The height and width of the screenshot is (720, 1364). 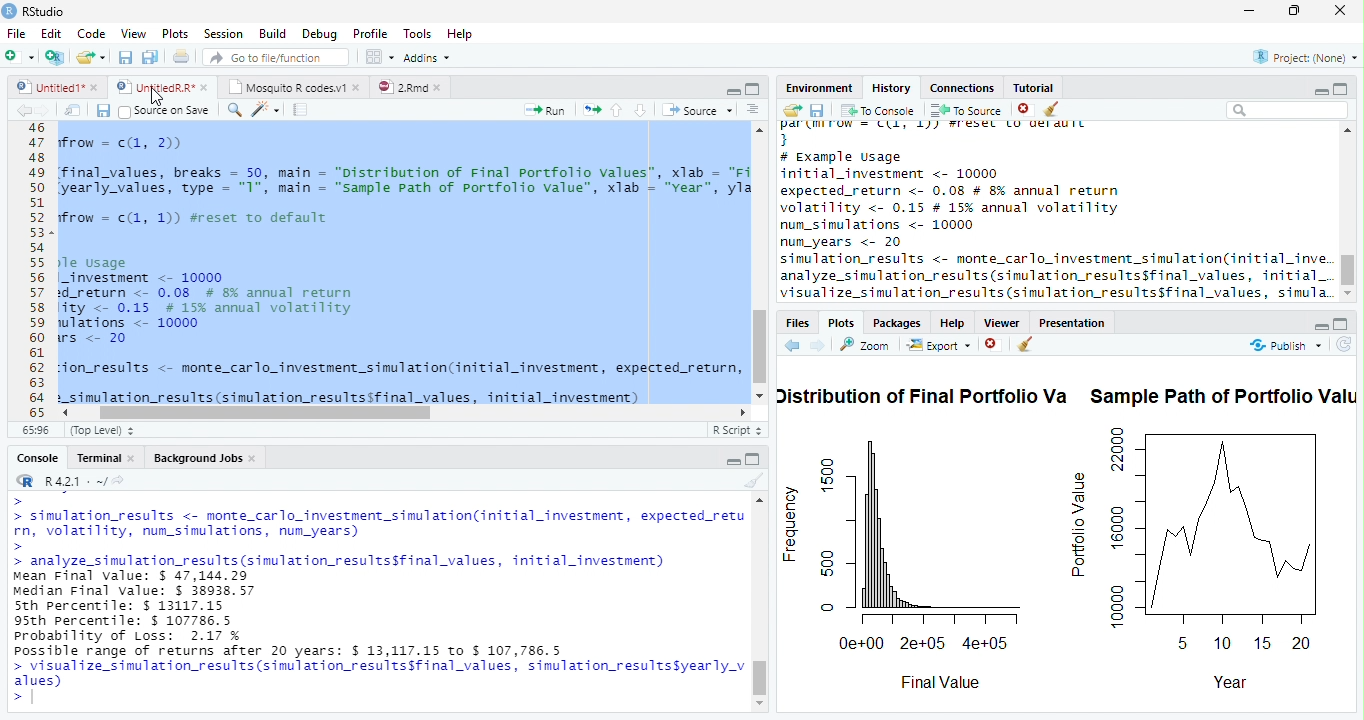 What do you see at coordinates (274, 57) in the screenshot?
I see `Go to file/function` at bounding box center [274, 57].